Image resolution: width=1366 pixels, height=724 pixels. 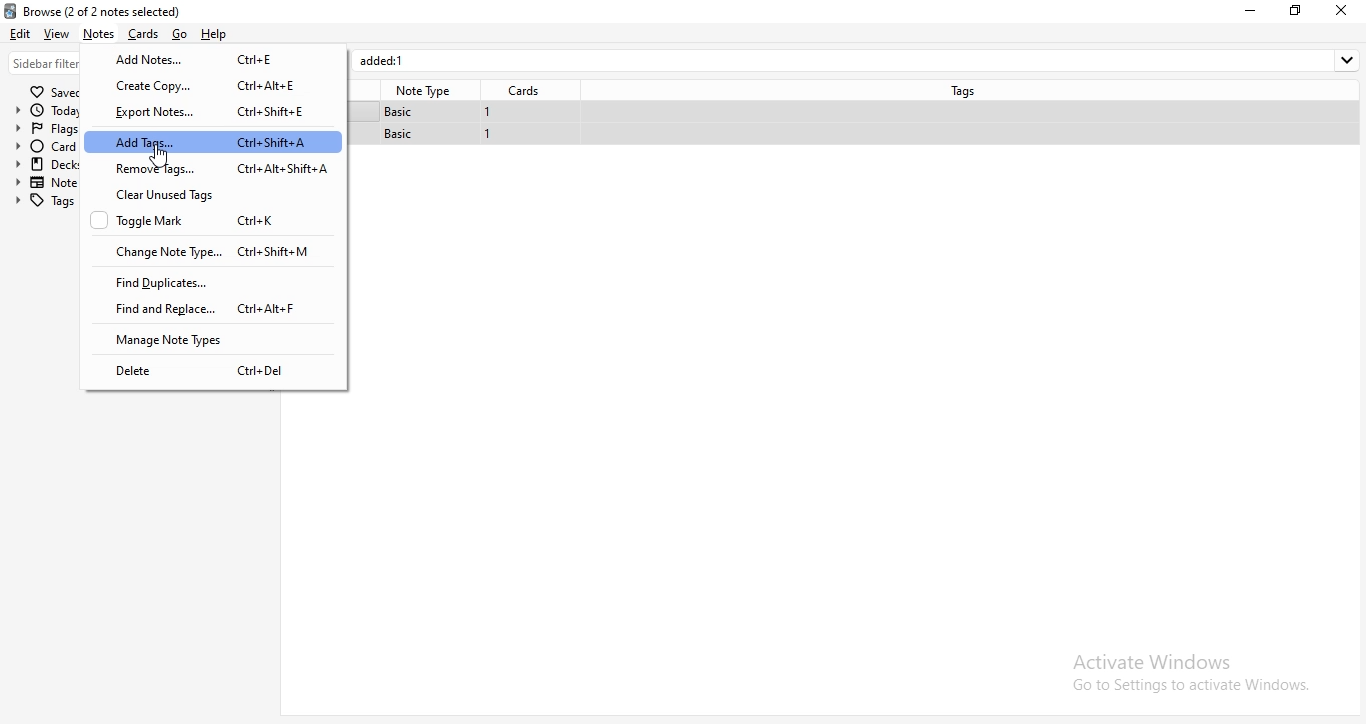 I want to click on note type, so click(x=426, y=91).